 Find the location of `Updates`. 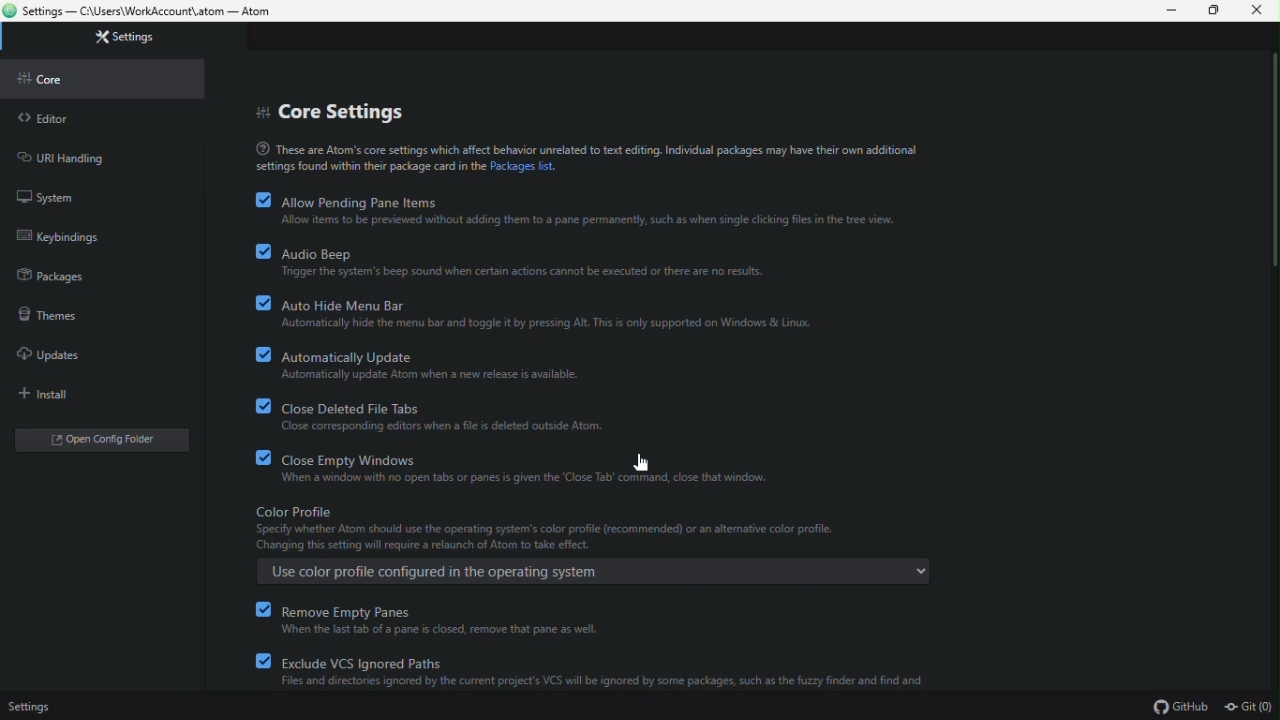

Updates is located at coordinates (94, 353).